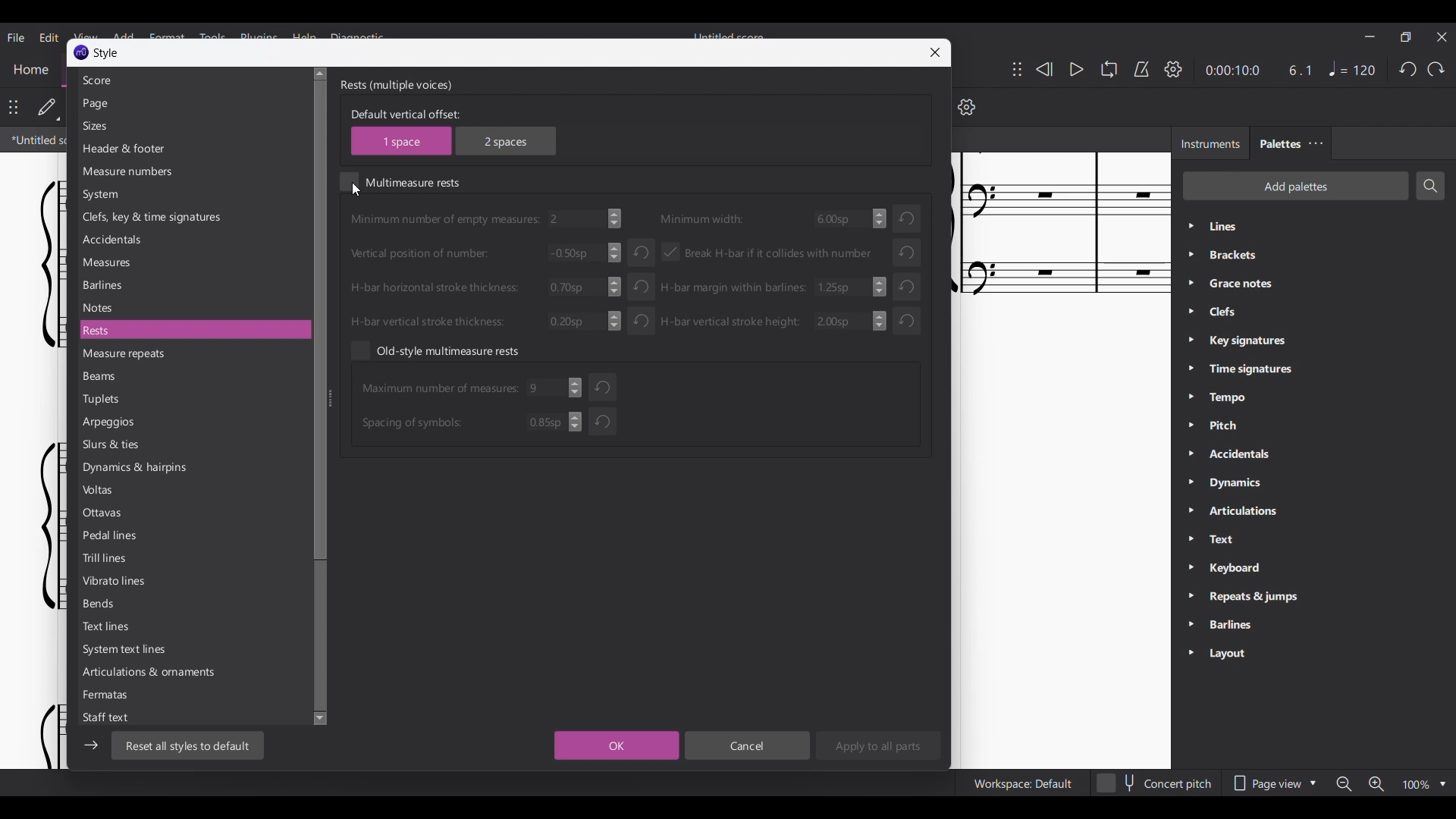 The height and width of the screenshot is (819, 1456). I want to click on Arpeggios, so click(192, 422).